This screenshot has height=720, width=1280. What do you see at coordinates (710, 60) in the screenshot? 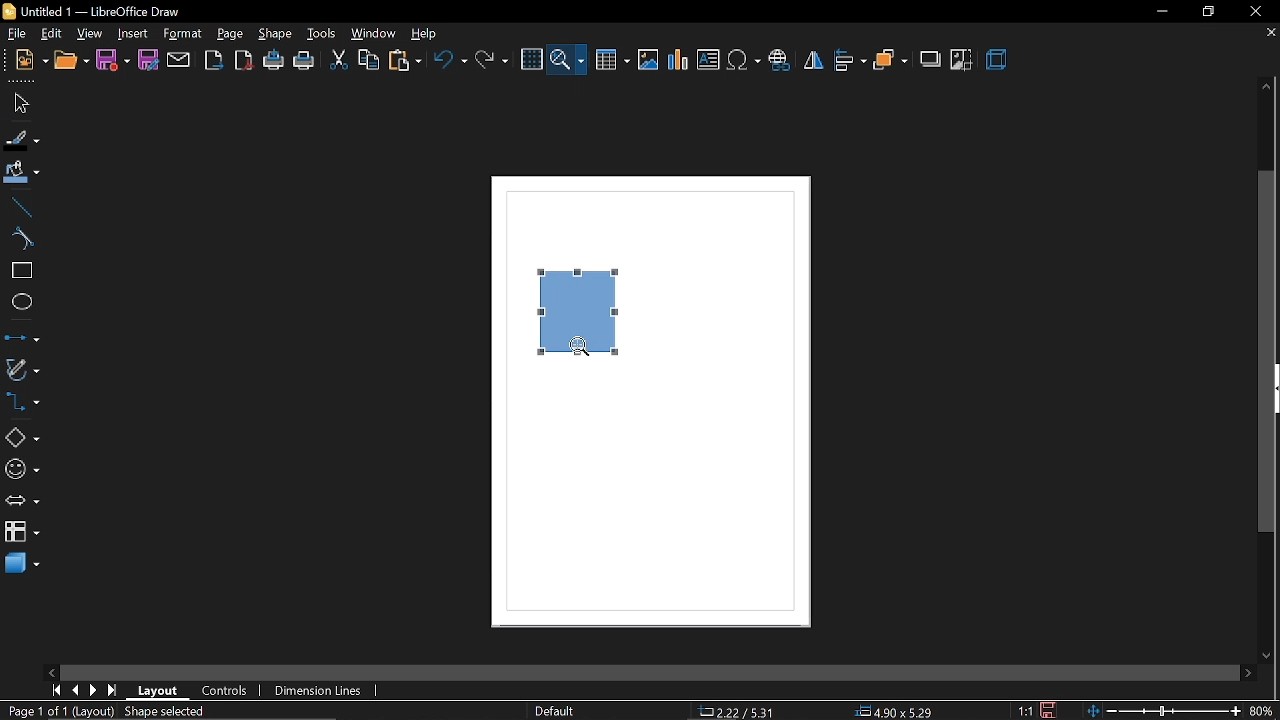
I see `Insert text` at bounding box center [710, 60].